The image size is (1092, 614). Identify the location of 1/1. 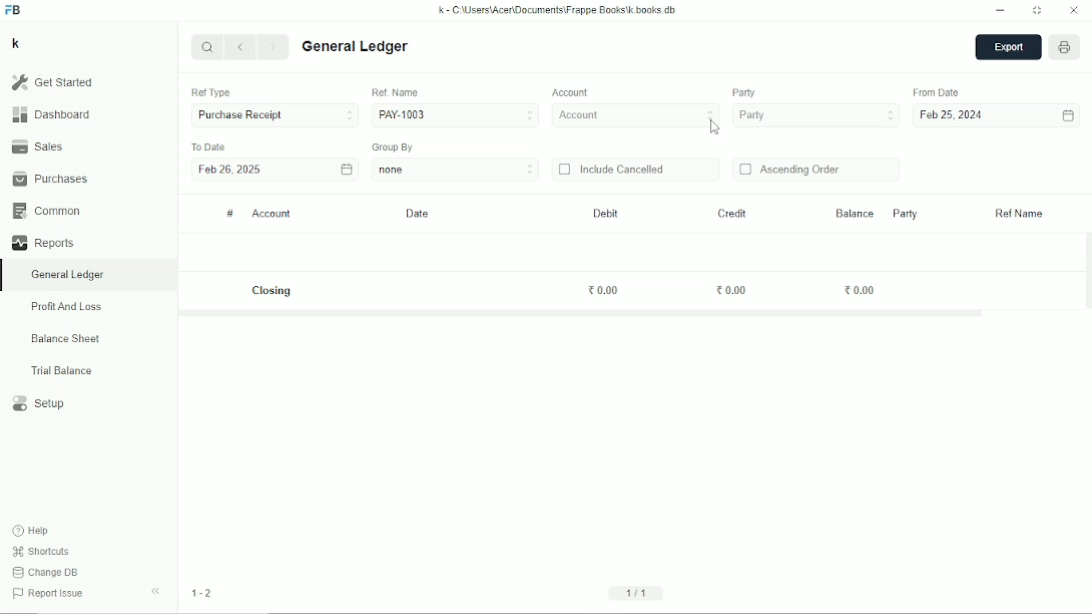
(639, 592).